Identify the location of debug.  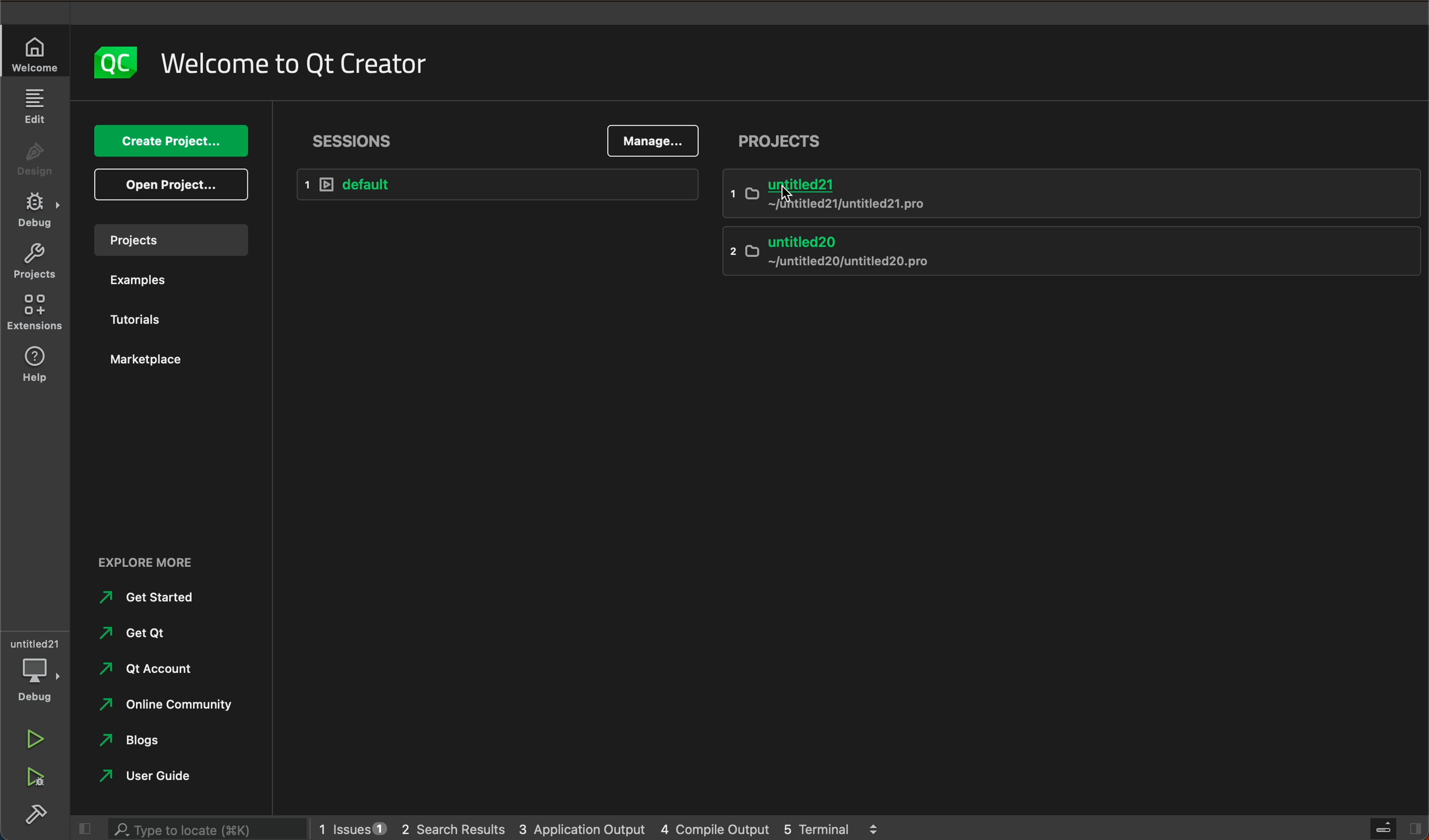
(38, 209).